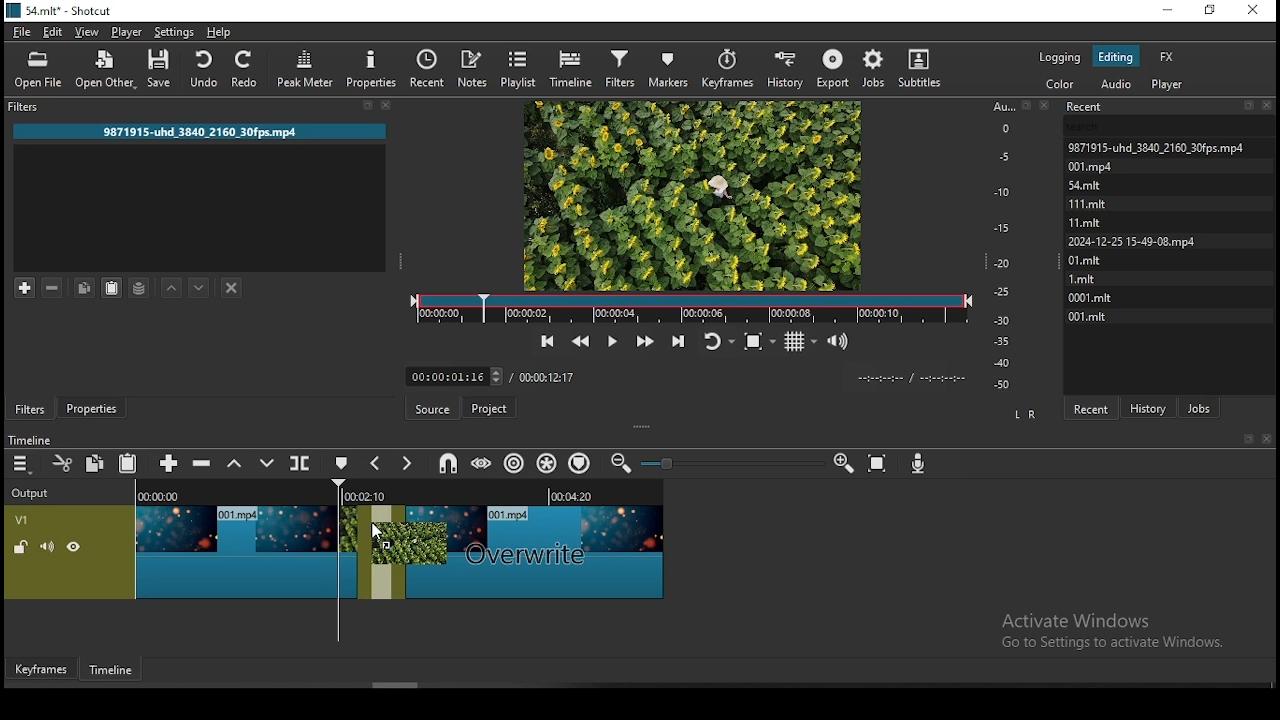 This screenshot has width=1280, height=720. What do you see at coordinates (39, 70) in the screenshot?
I see `open file` at bounding box center [39, 70].